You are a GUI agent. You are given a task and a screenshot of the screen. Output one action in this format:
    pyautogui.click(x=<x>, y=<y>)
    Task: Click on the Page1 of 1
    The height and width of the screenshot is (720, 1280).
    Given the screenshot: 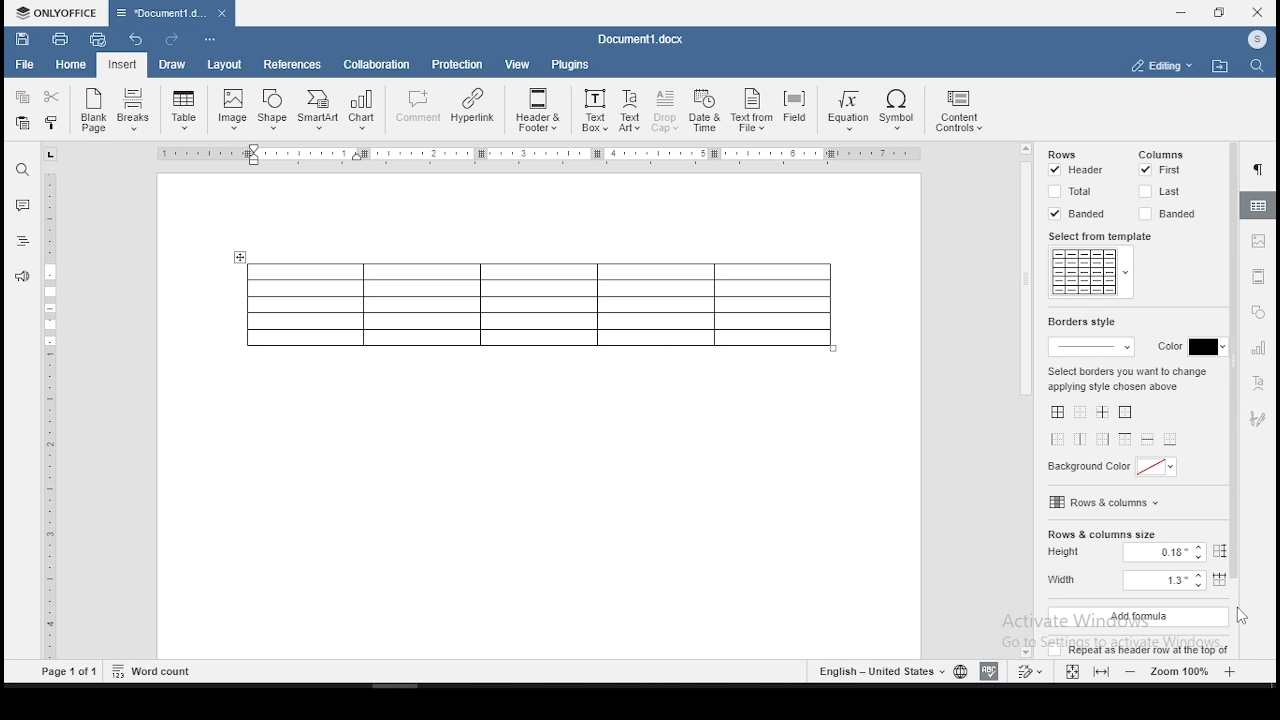 What is the action you would take?
    pyautogui.click(x=70, y=673)
    